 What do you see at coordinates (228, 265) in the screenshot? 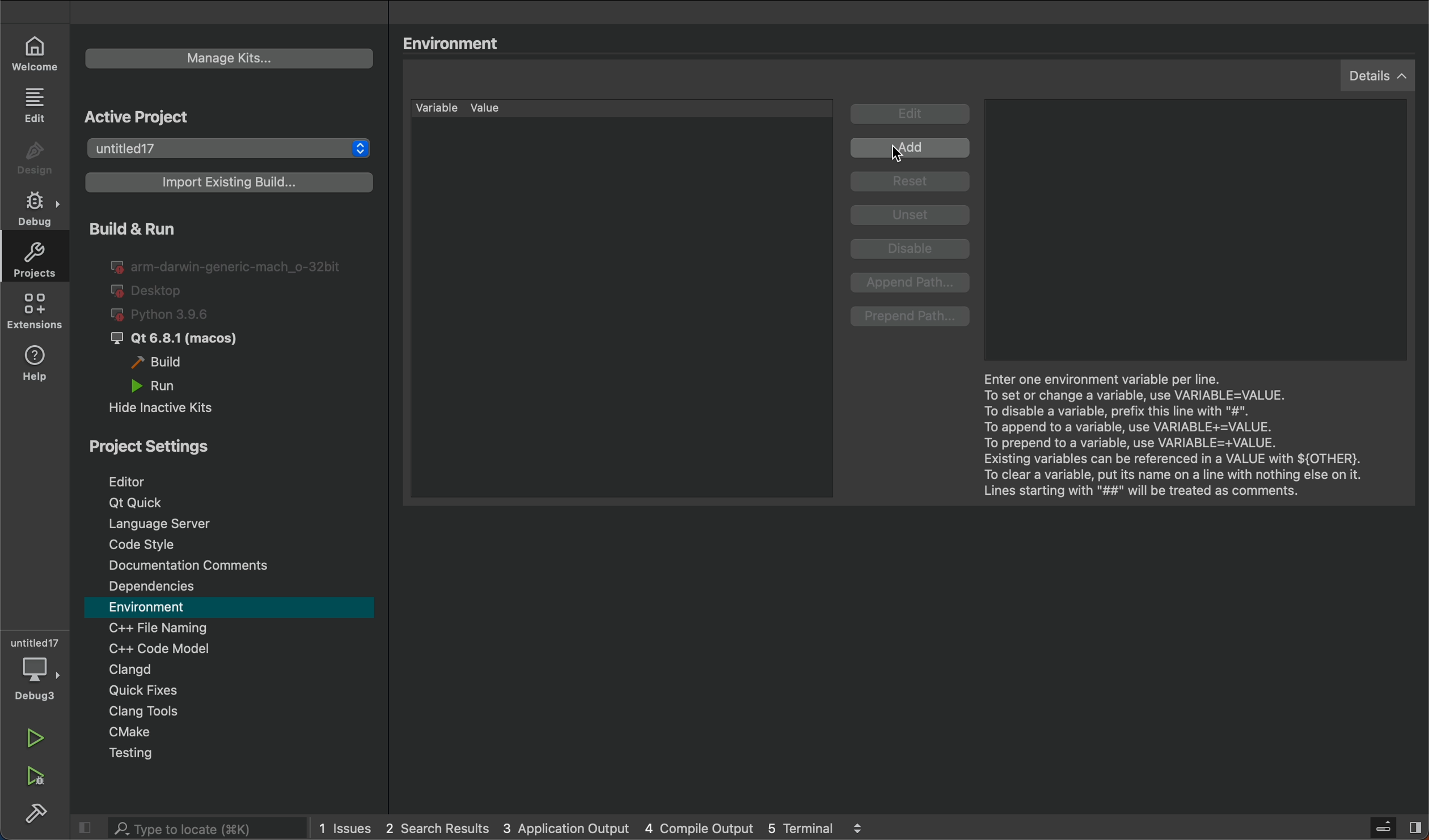
I see `I@ arm-darwin-generic-mach_o-32bit` at bounding box center [228, 265].